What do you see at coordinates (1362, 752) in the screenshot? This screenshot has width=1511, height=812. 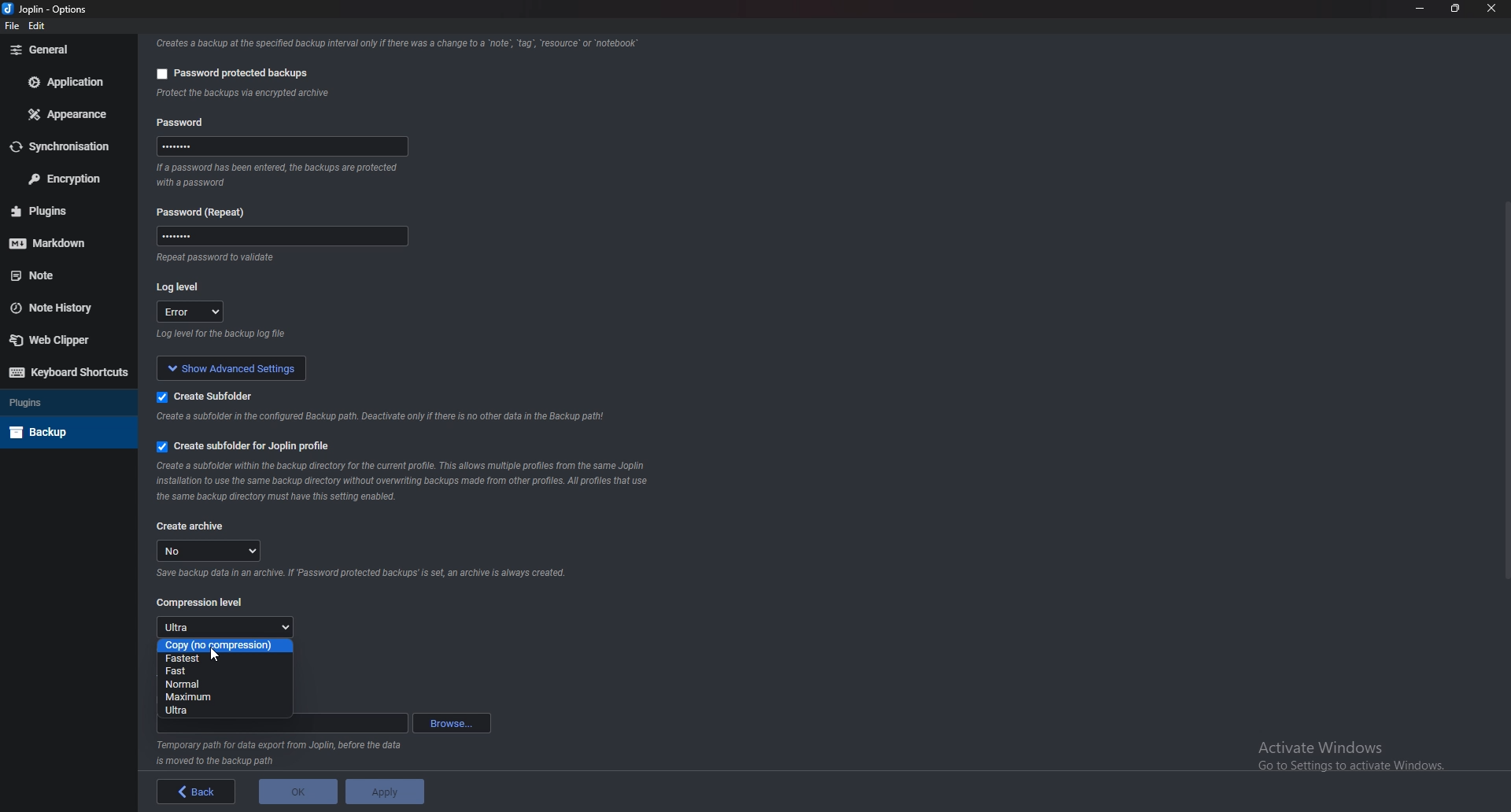 I see `activate windows` at bounding box center [1362, 752].